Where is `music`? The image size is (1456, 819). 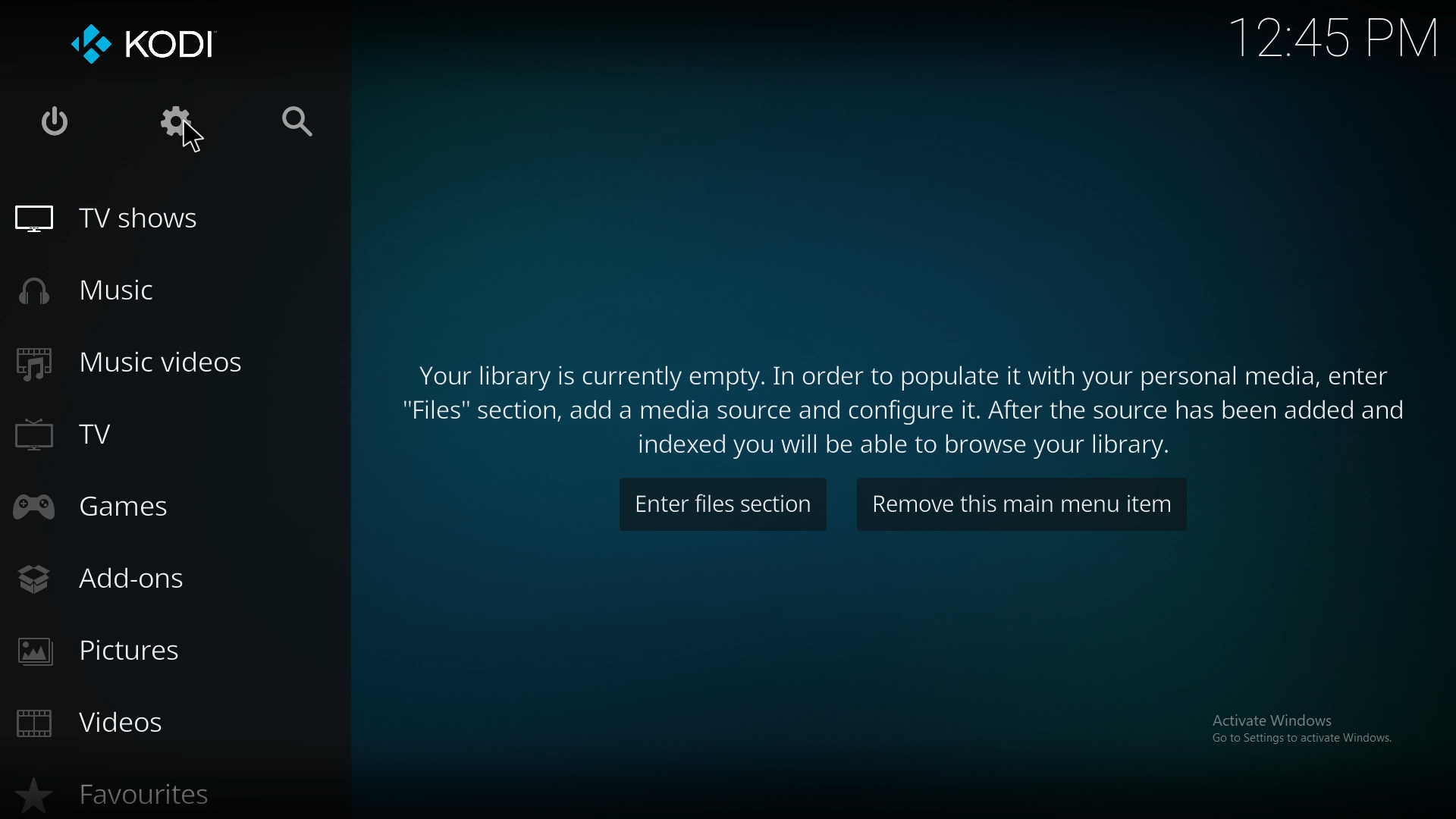 music is located at coordinates (116, 288).